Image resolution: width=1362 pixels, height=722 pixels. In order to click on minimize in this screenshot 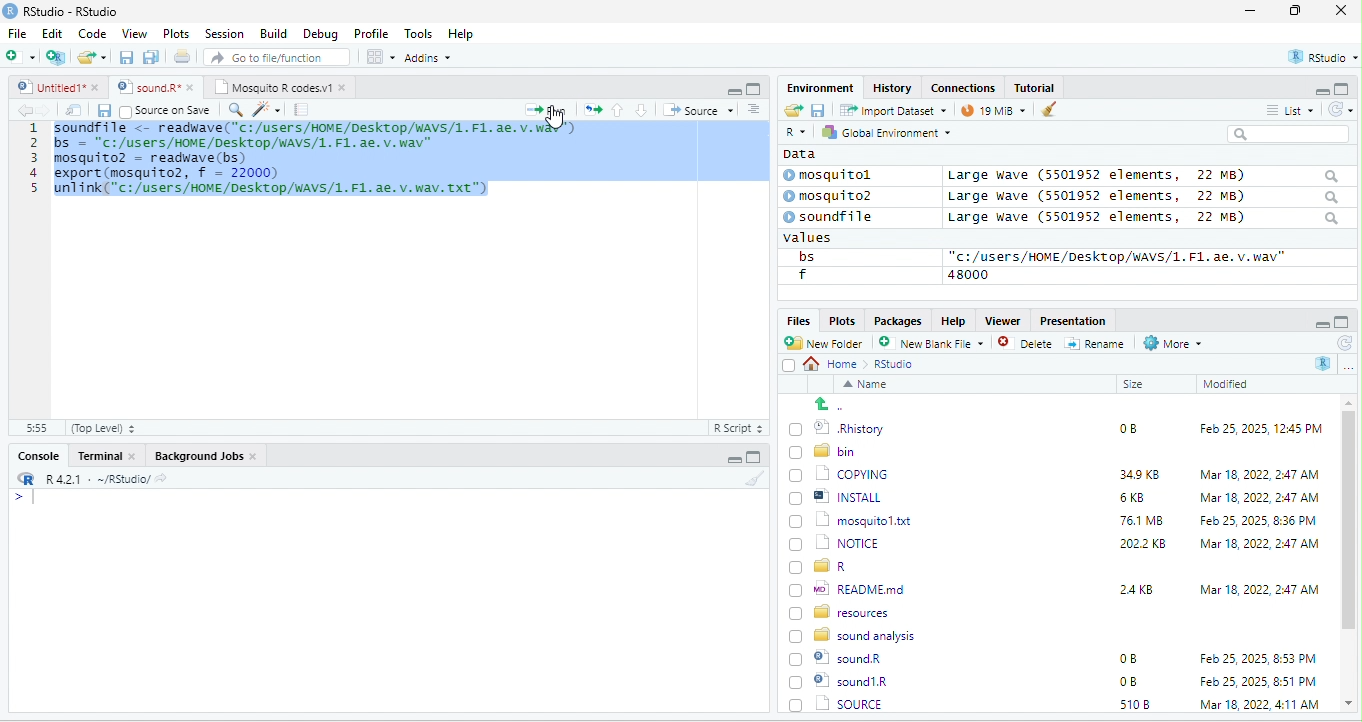, I will do `click(731, 460)`.